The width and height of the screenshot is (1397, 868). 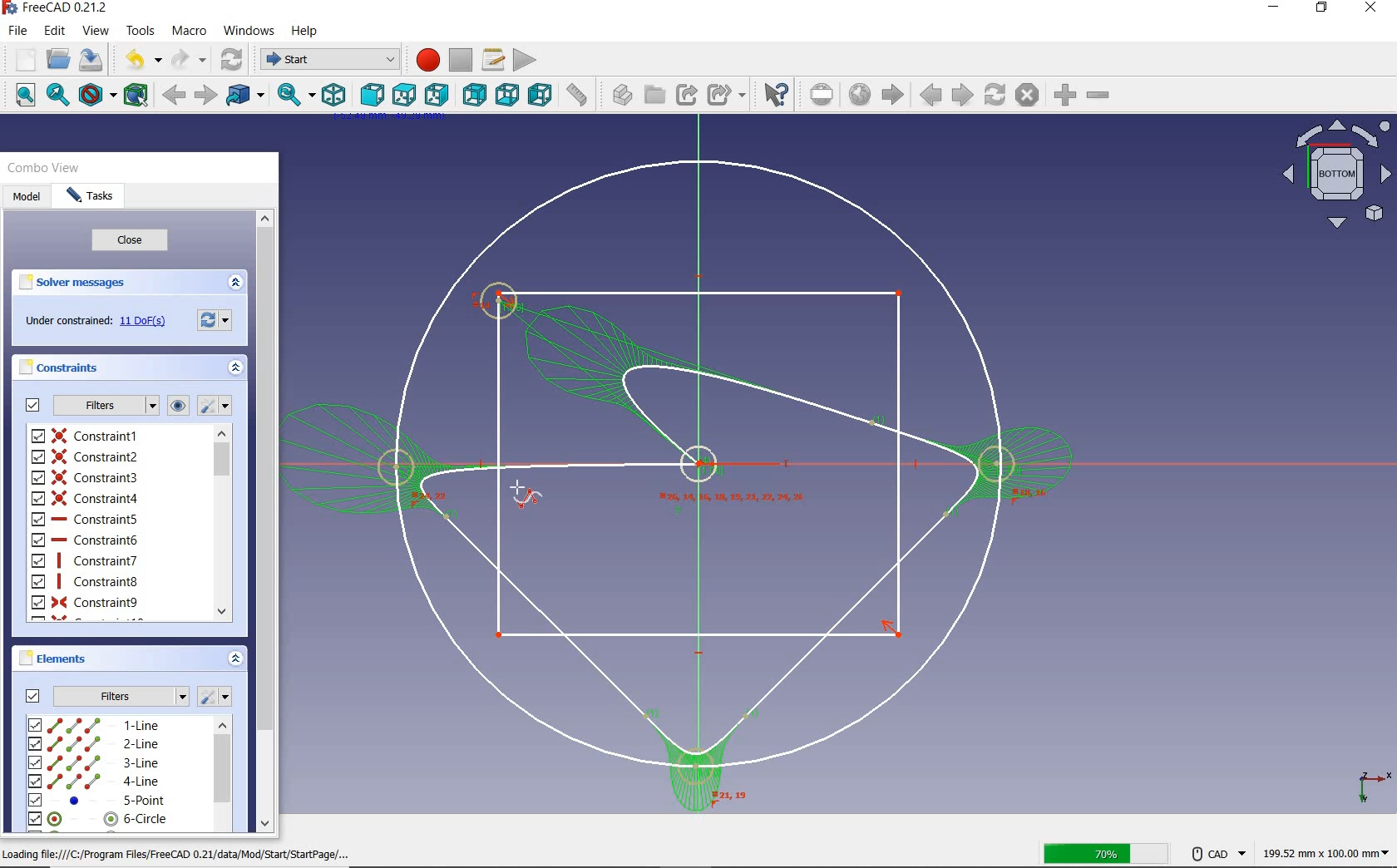 What do you see at coordinates (185, 60) in the screenshot?
I see `redo` at bounding box center [185, 60].